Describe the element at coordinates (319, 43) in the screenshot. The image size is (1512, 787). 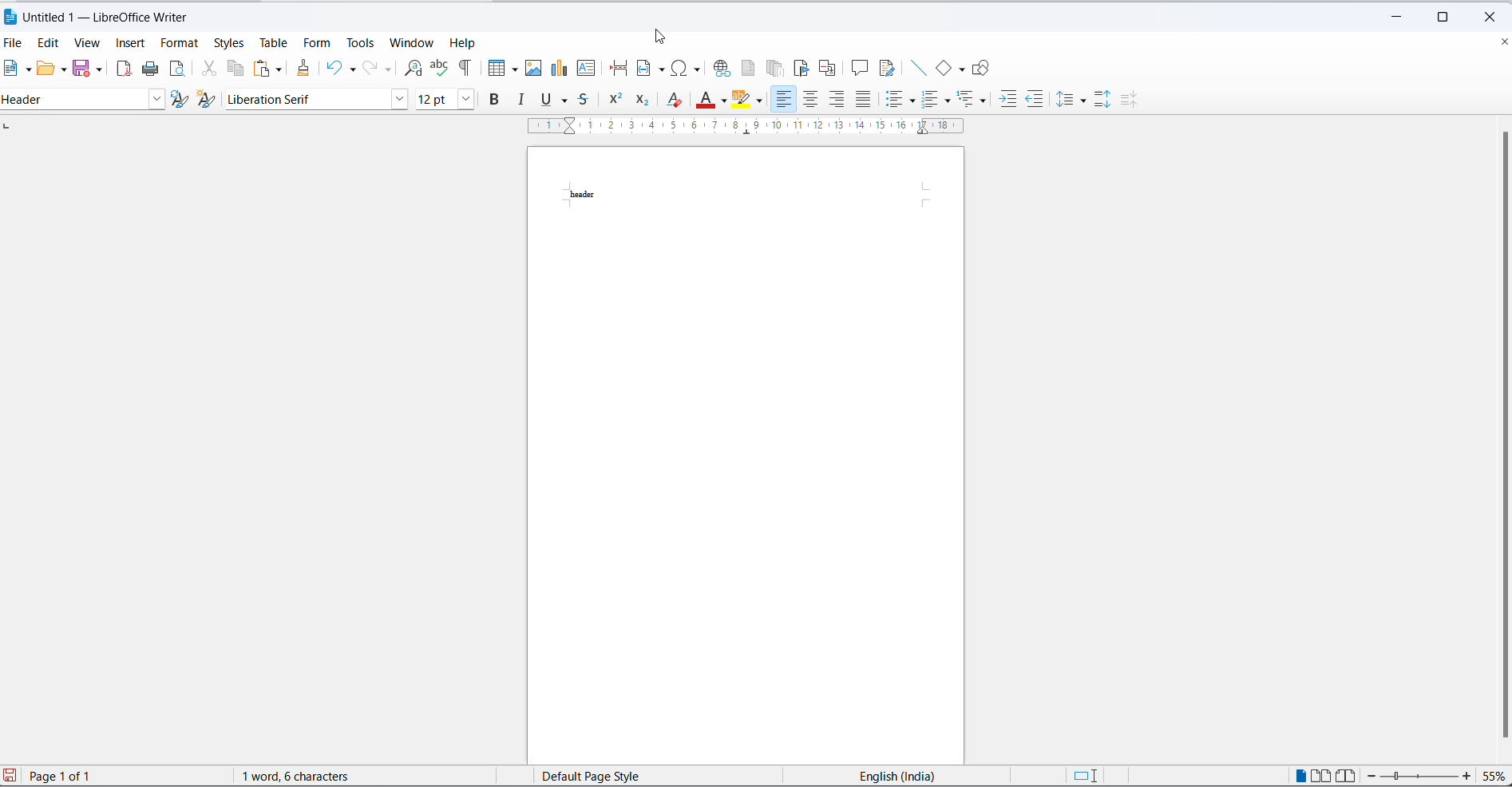
I see `form` at that location.